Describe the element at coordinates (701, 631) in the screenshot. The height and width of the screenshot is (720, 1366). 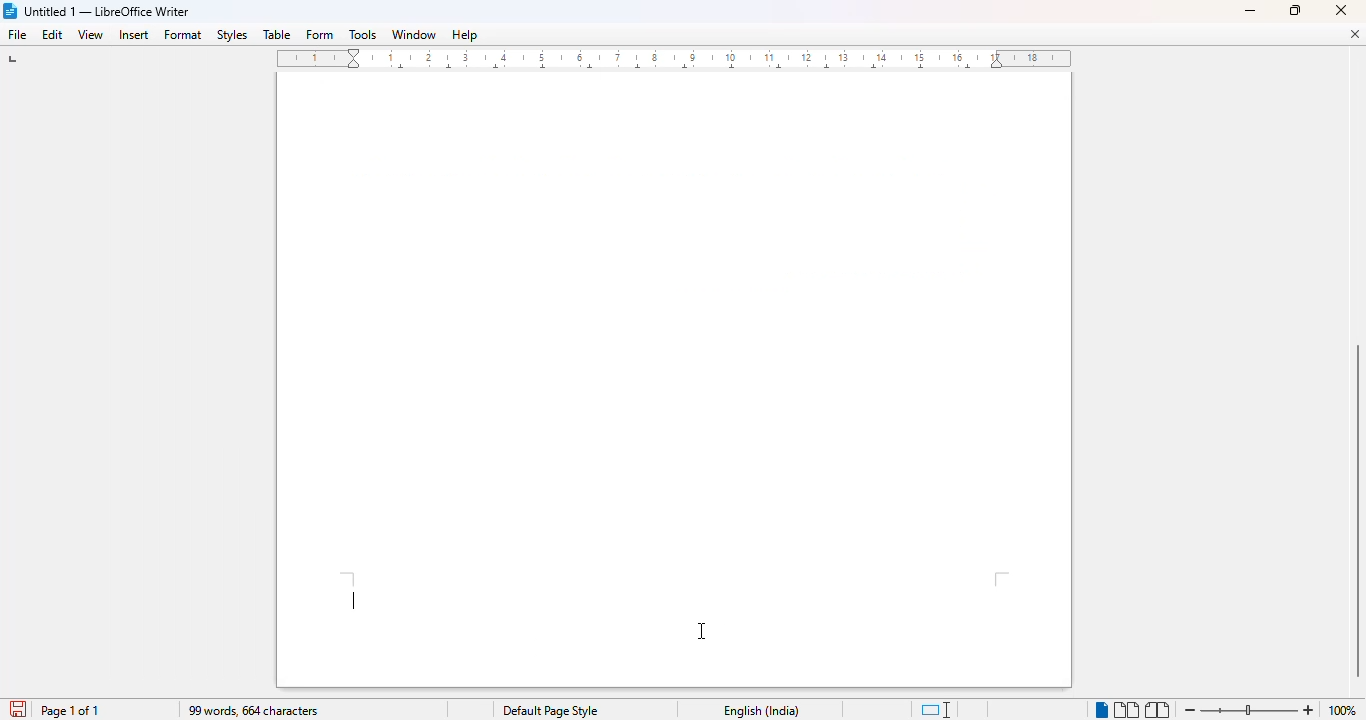
I see `cursor` at that location.